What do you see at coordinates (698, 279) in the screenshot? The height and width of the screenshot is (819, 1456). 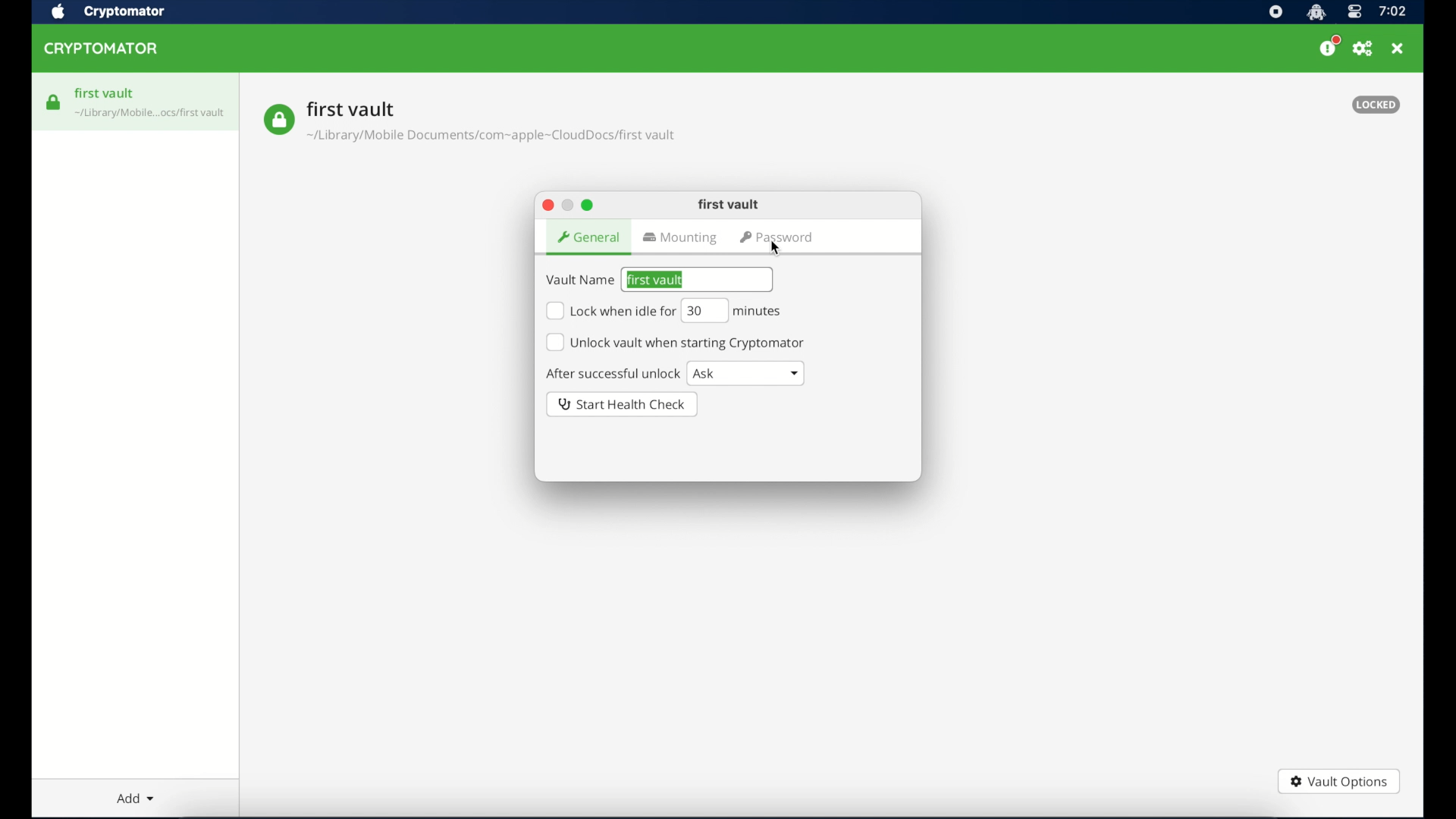 I see `vault name field` at bounding box center [698, 279].